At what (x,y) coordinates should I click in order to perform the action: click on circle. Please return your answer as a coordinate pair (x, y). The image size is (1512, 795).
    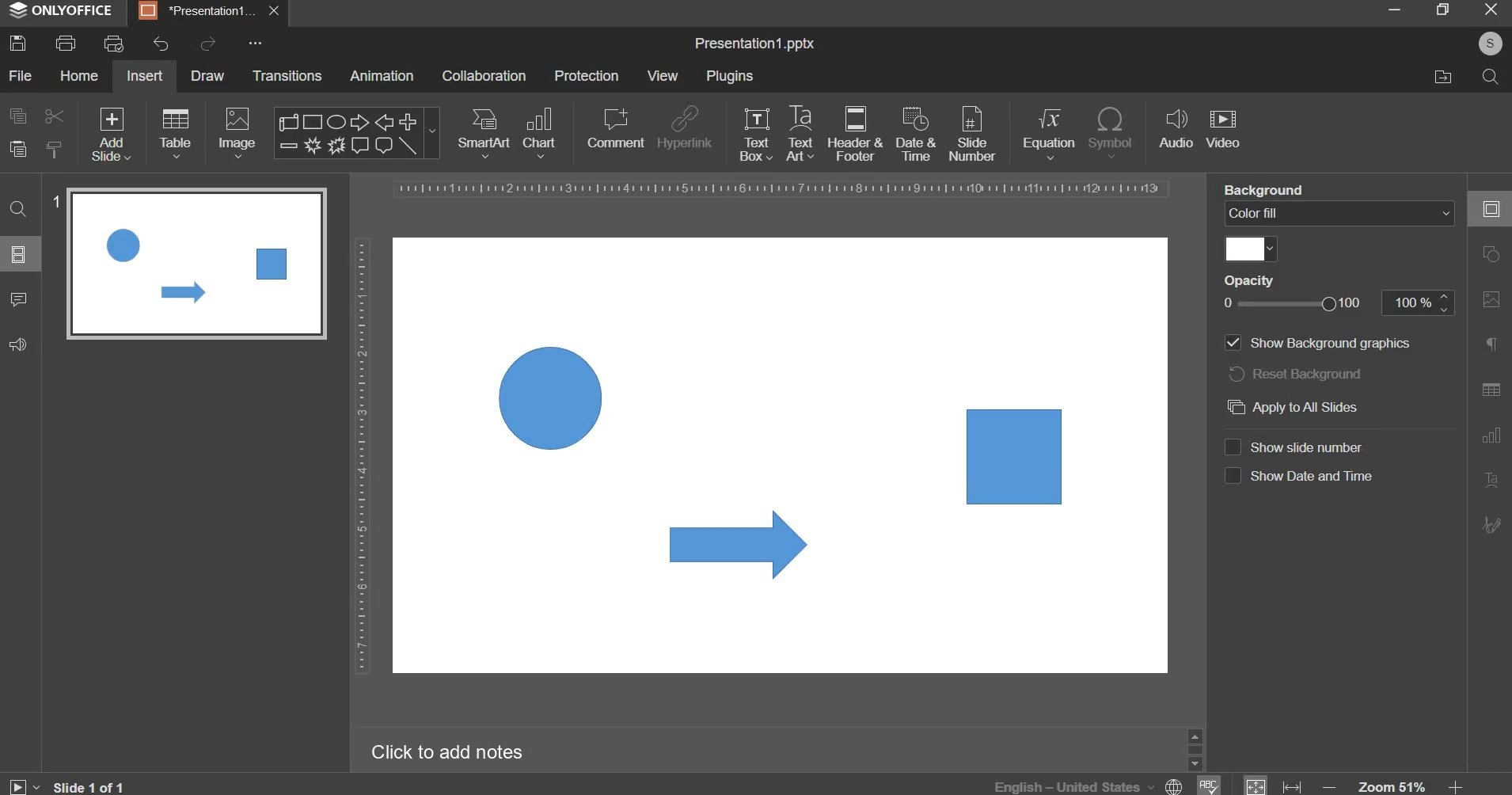
    Looking at the image, I should click on (549, 398).